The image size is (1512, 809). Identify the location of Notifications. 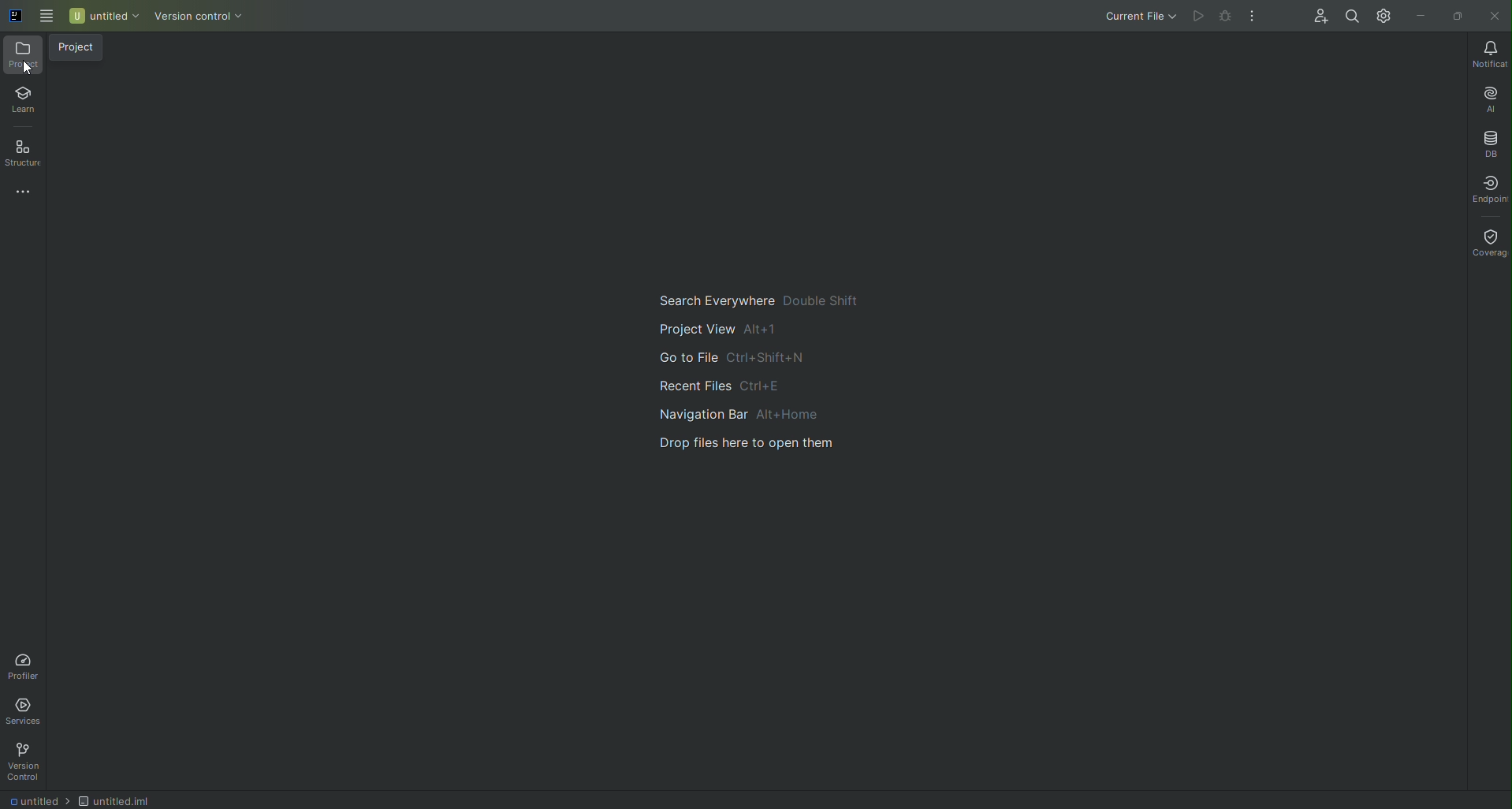
(1488, 53).